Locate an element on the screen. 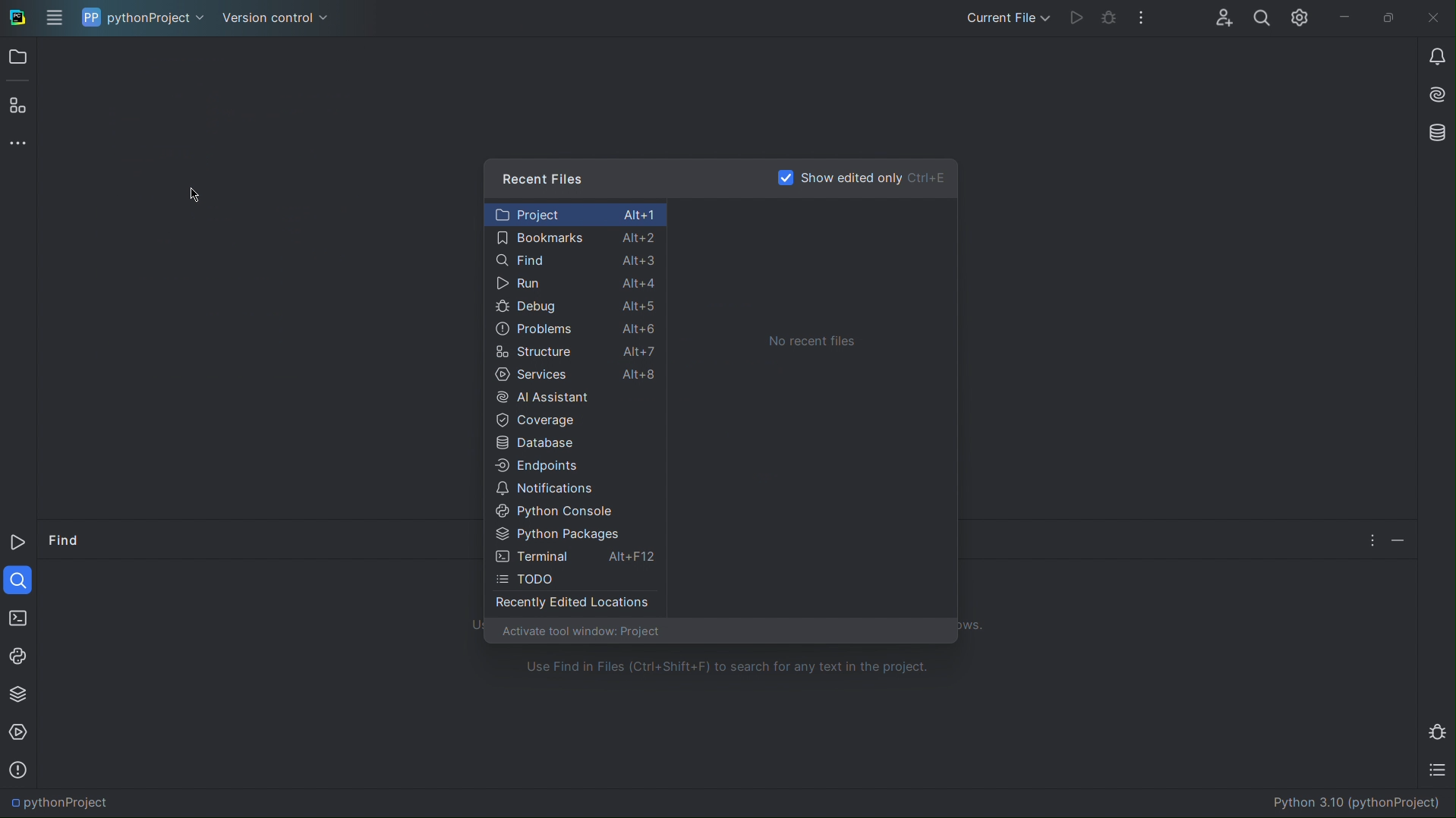 Image resolution: width=1456 pixels, height=818 pixels. Endpoints is located at coordinates (575, 464).